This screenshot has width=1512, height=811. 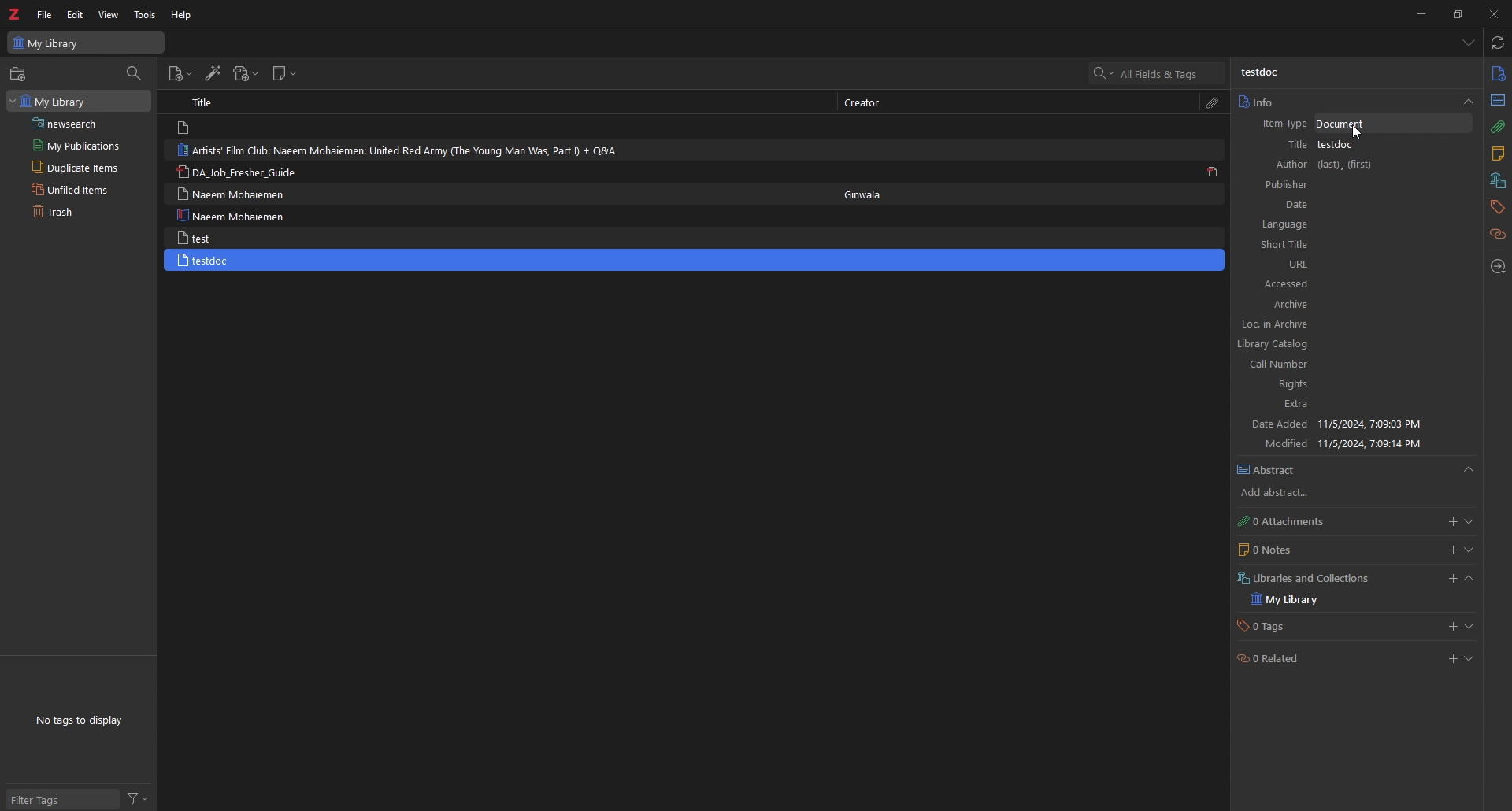 What do you see at coordinates (1469, 522) in the screenshot?
I see `show` at bounding box center [1469, 522].